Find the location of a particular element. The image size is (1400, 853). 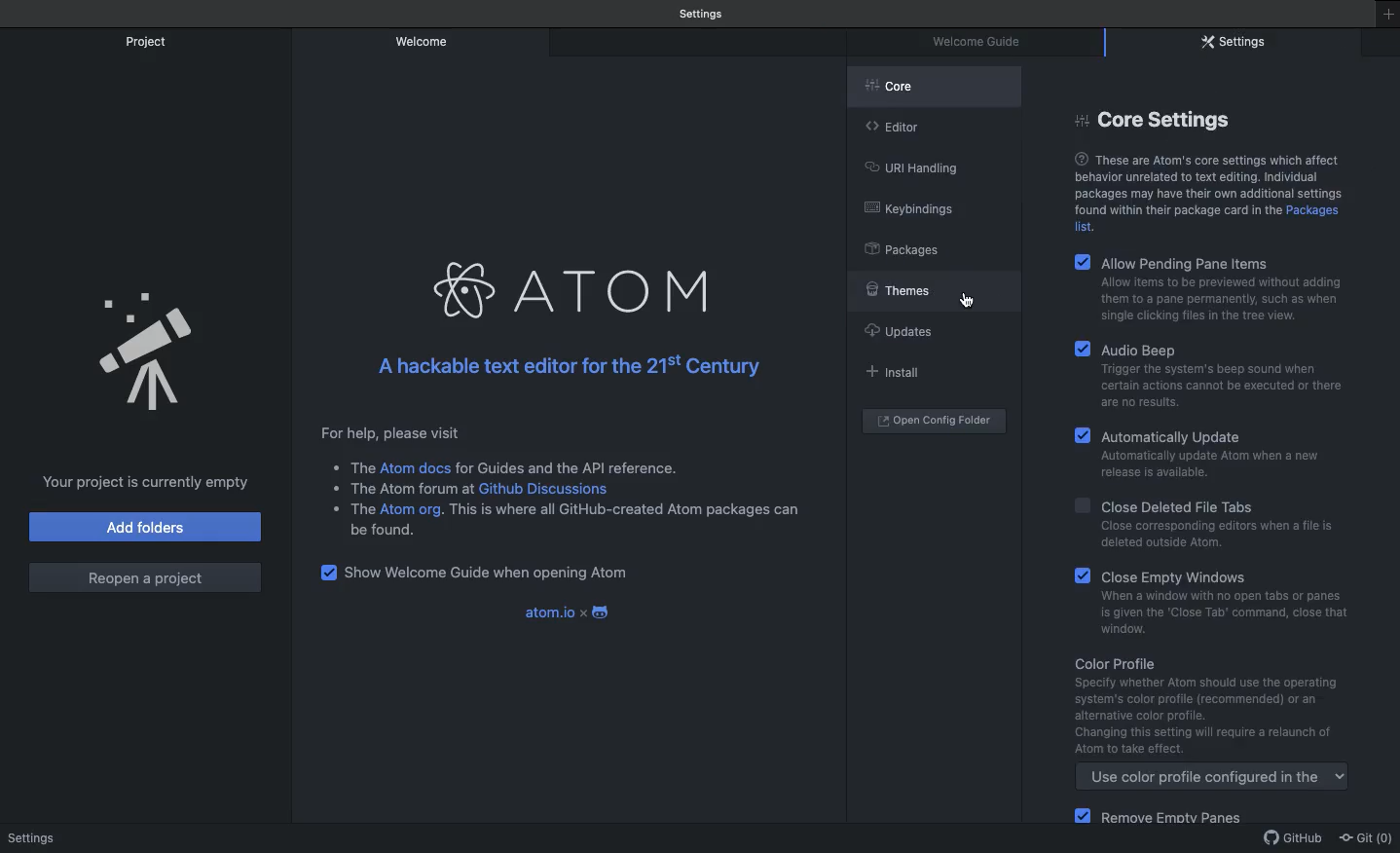

atom.ioxandroid is located at coordinates (572, 612).